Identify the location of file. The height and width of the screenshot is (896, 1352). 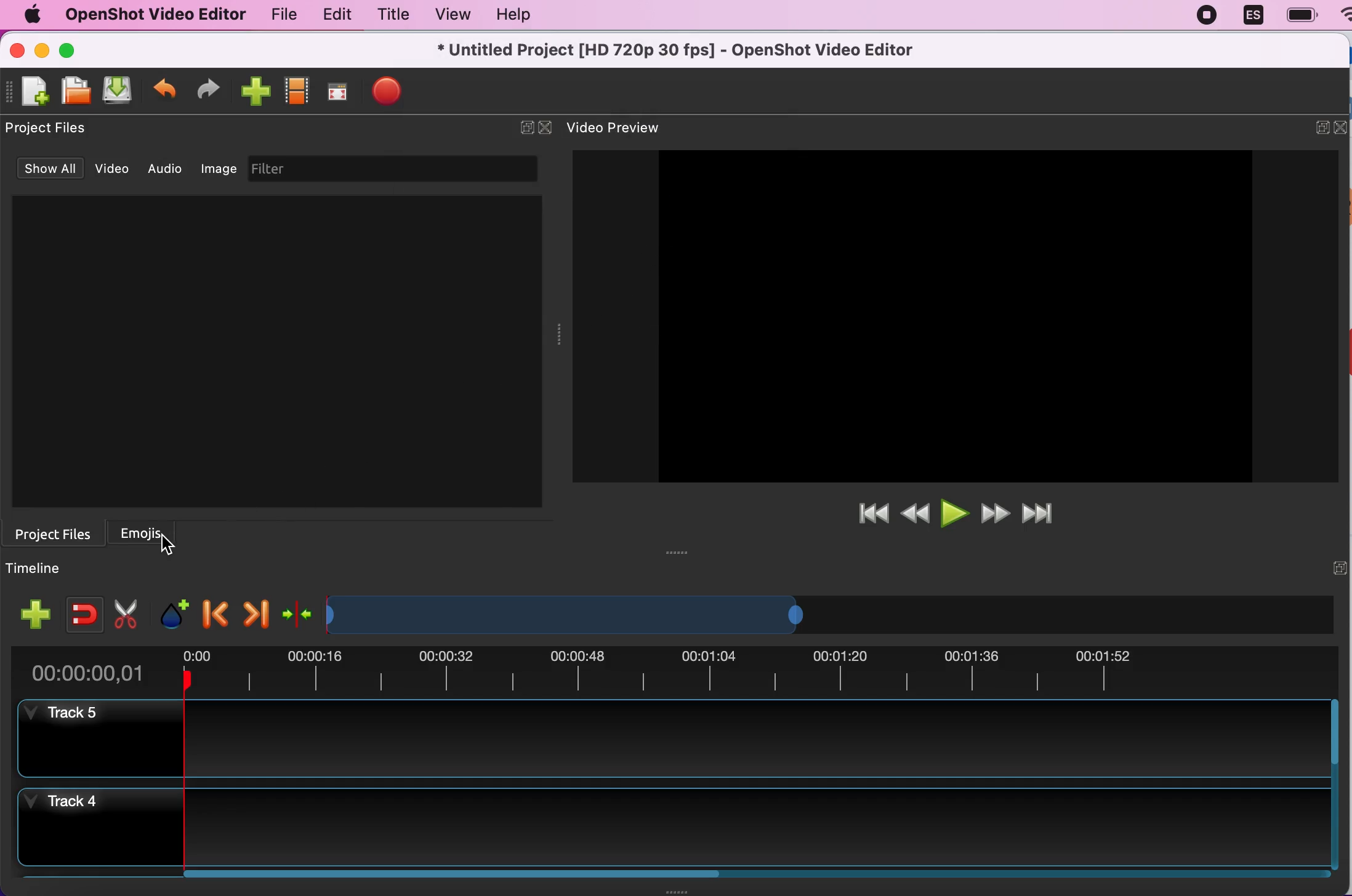
(278, 15).